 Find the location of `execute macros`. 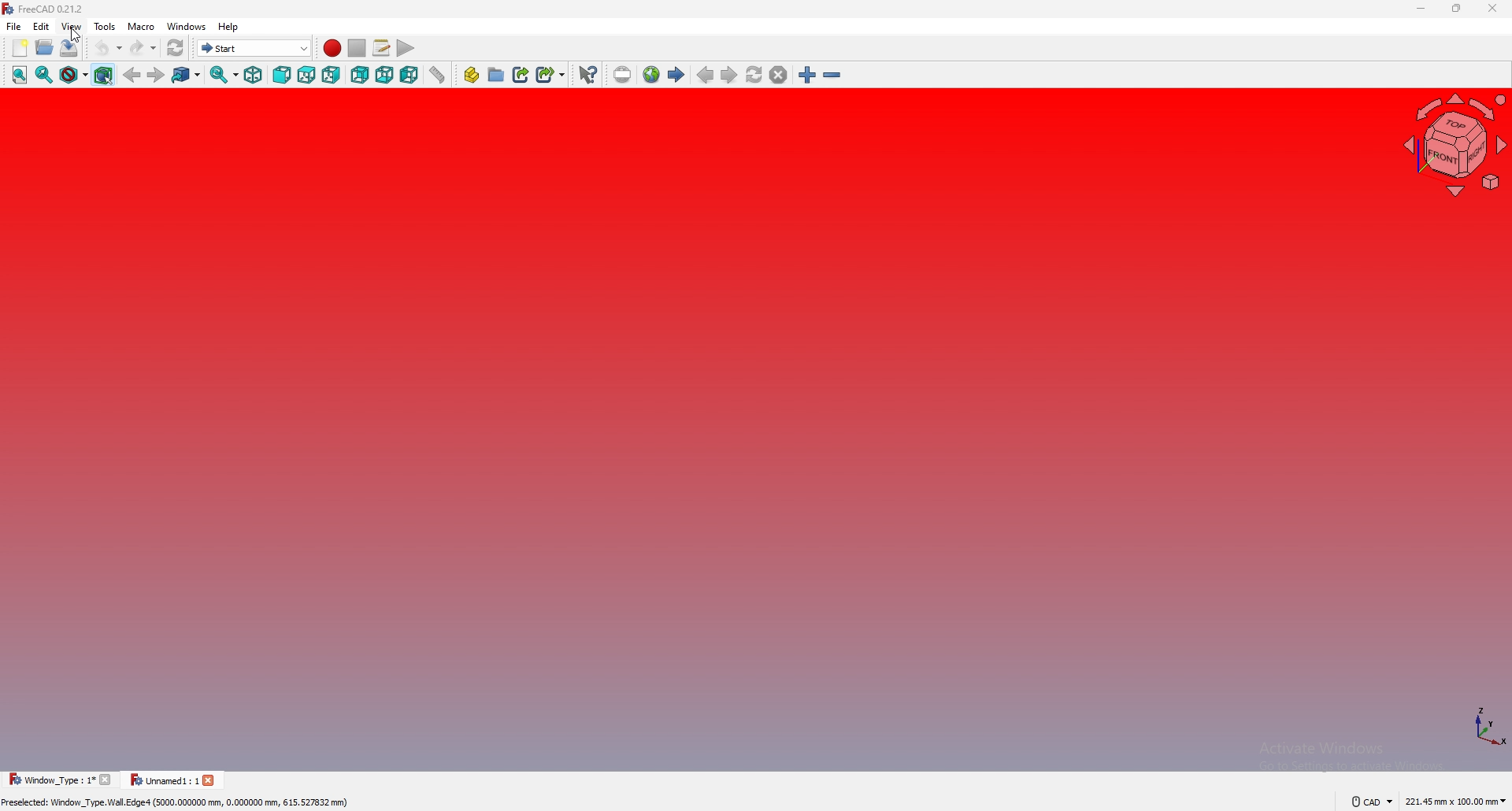

execute macros is located at coordinates (406, 49).